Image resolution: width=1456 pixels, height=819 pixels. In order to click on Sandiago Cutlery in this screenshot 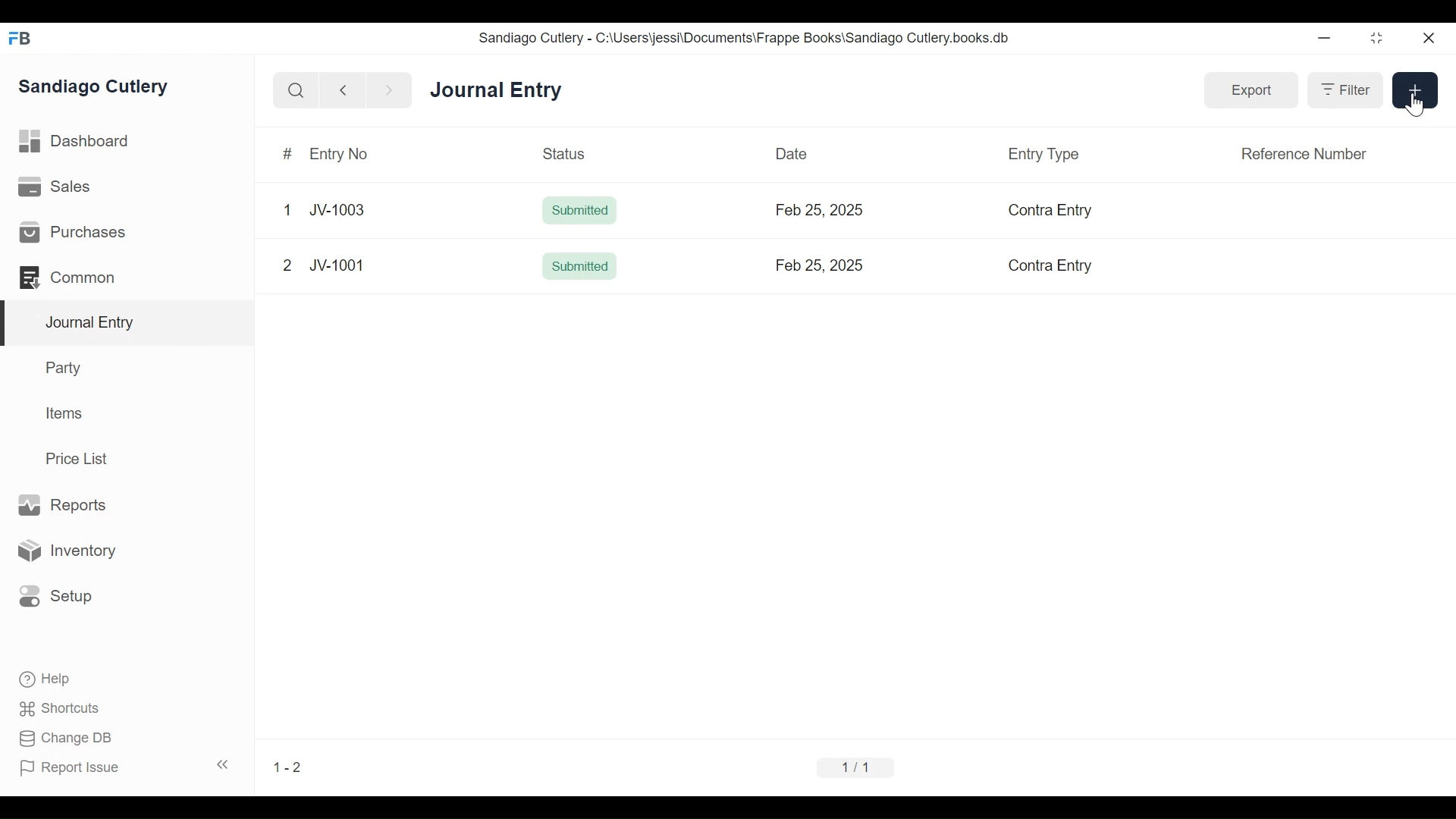, I will do `click(96, 88)`.